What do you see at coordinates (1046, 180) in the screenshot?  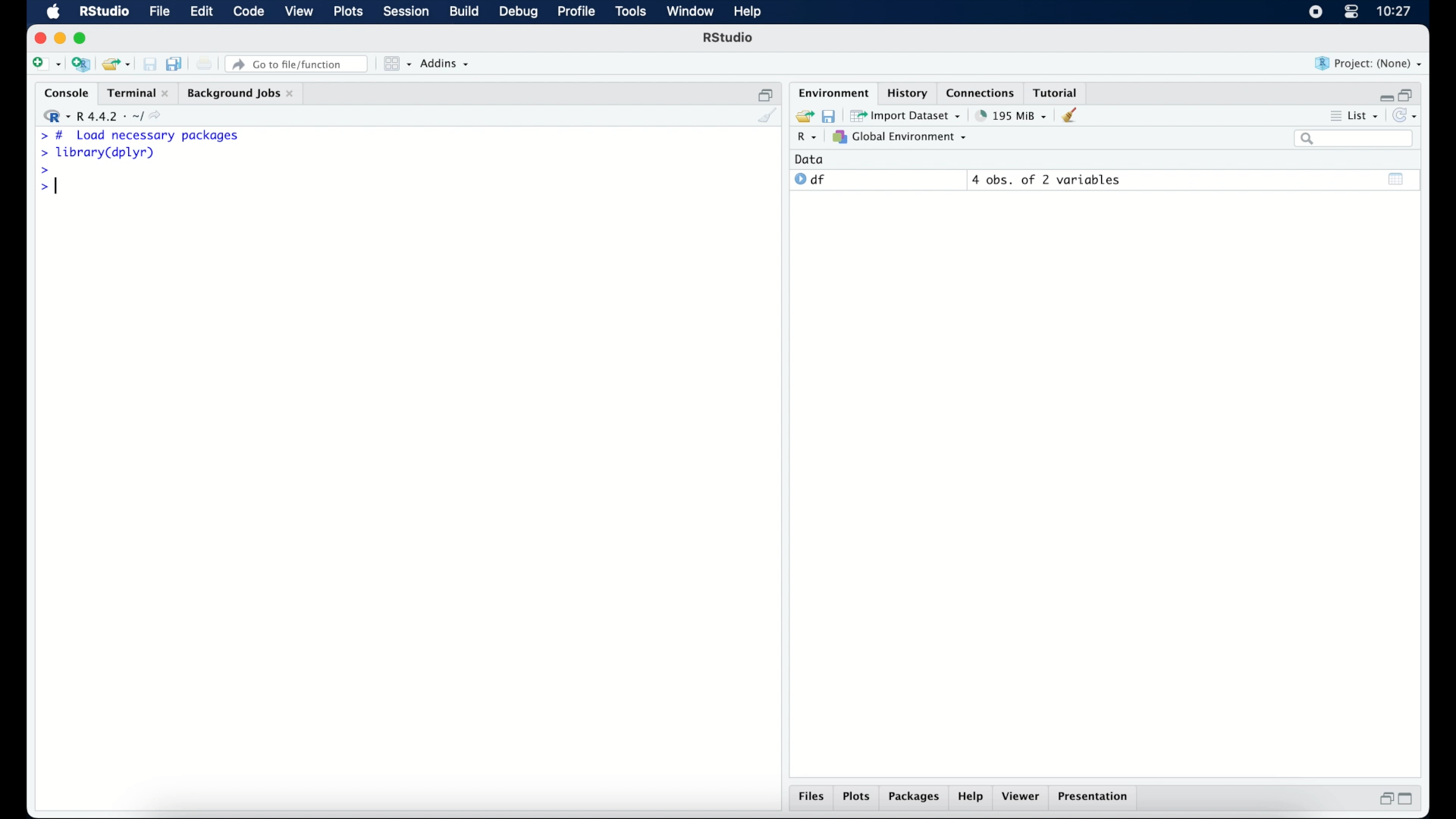 I see `4 obs, of 2 variables` at bounding box center [1046, 180].